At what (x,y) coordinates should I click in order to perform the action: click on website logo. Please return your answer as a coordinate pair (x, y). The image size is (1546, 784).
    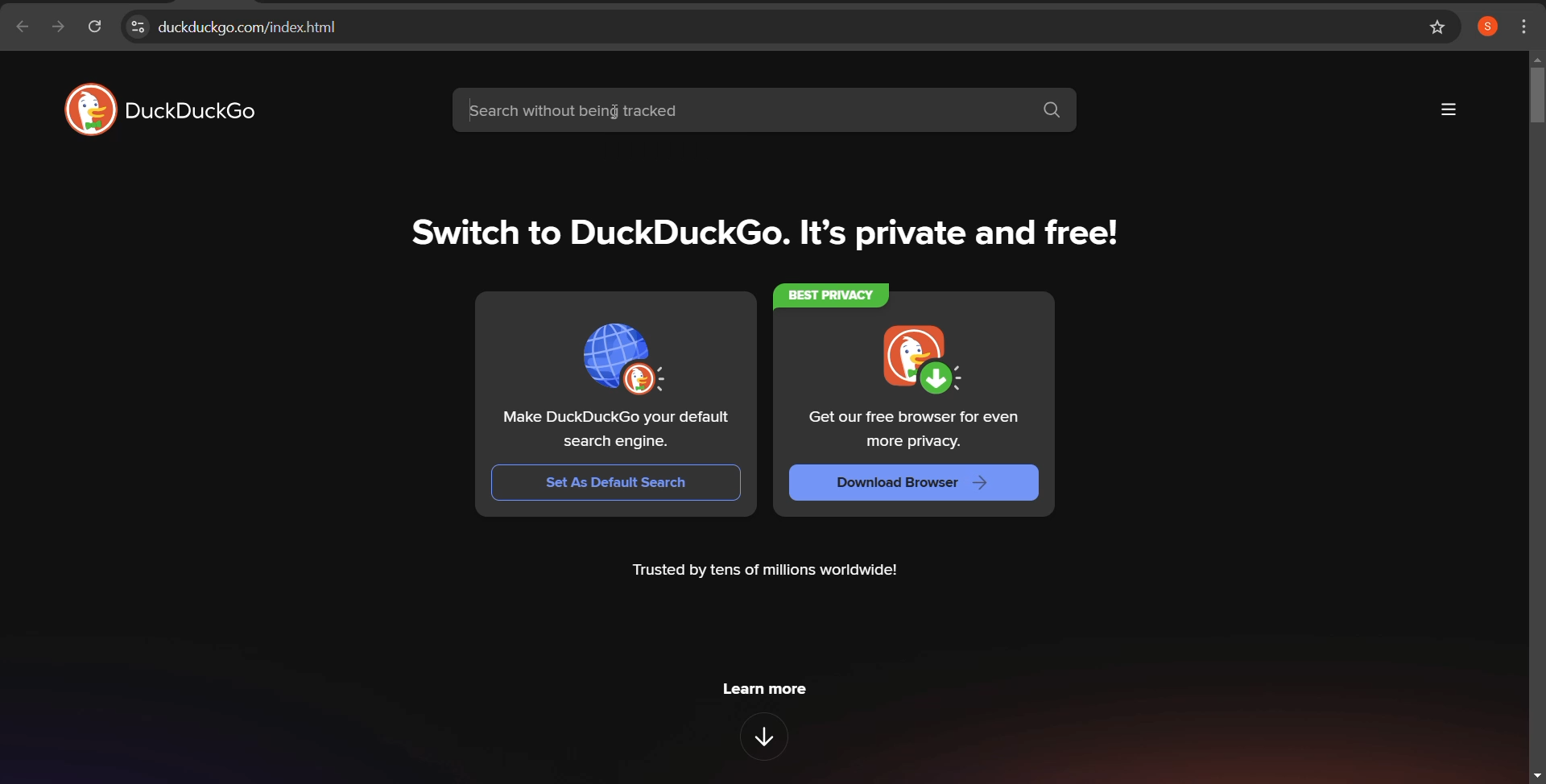
    Looking at the image, I should click on (166, 109).